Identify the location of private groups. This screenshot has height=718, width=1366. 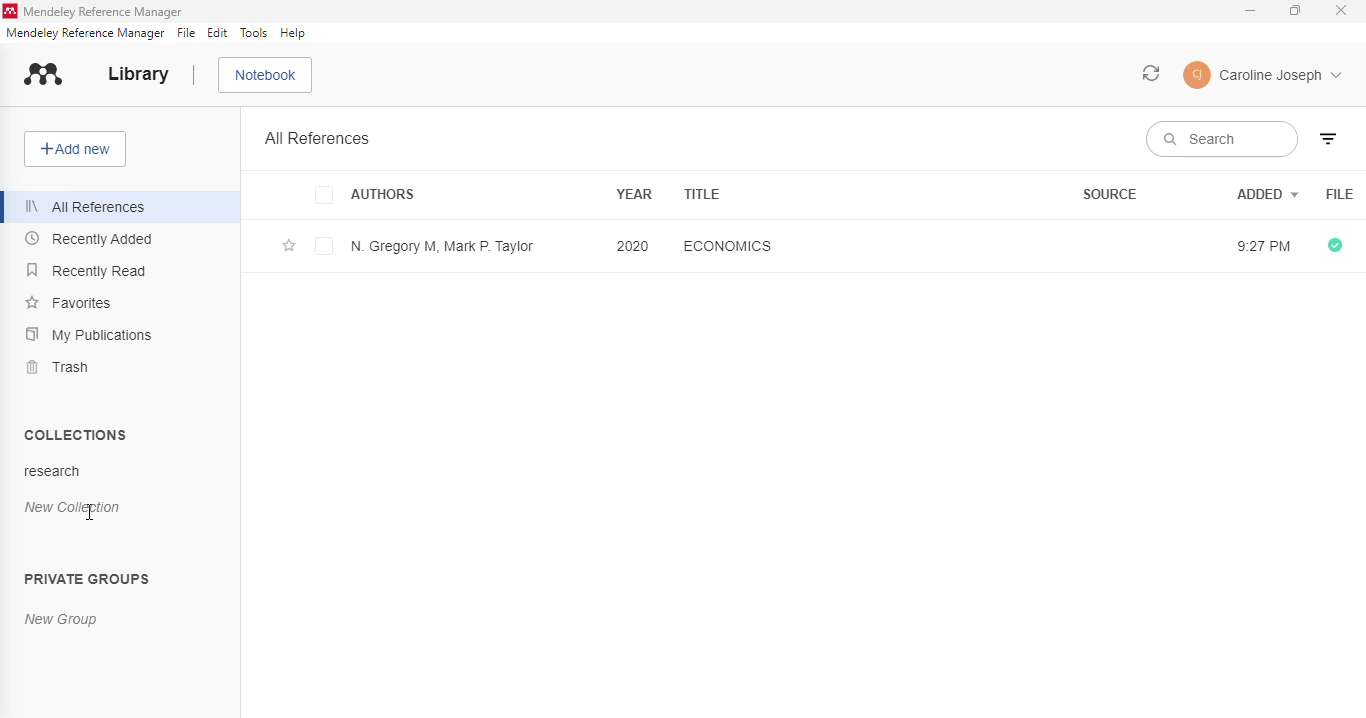
(87, 580).